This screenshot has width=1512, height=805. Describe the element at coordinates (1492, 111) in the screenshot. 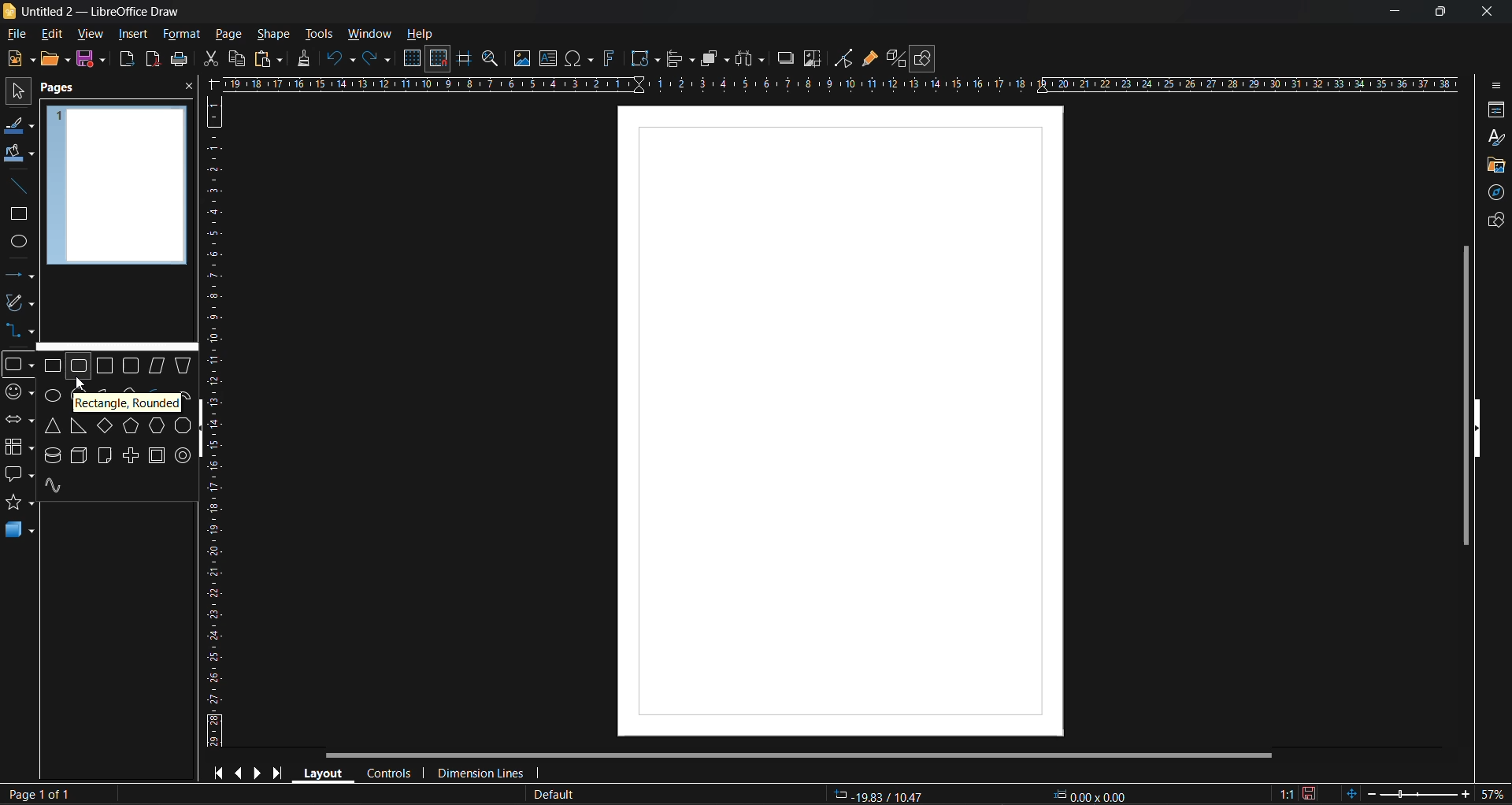

I see `properties` at that location.